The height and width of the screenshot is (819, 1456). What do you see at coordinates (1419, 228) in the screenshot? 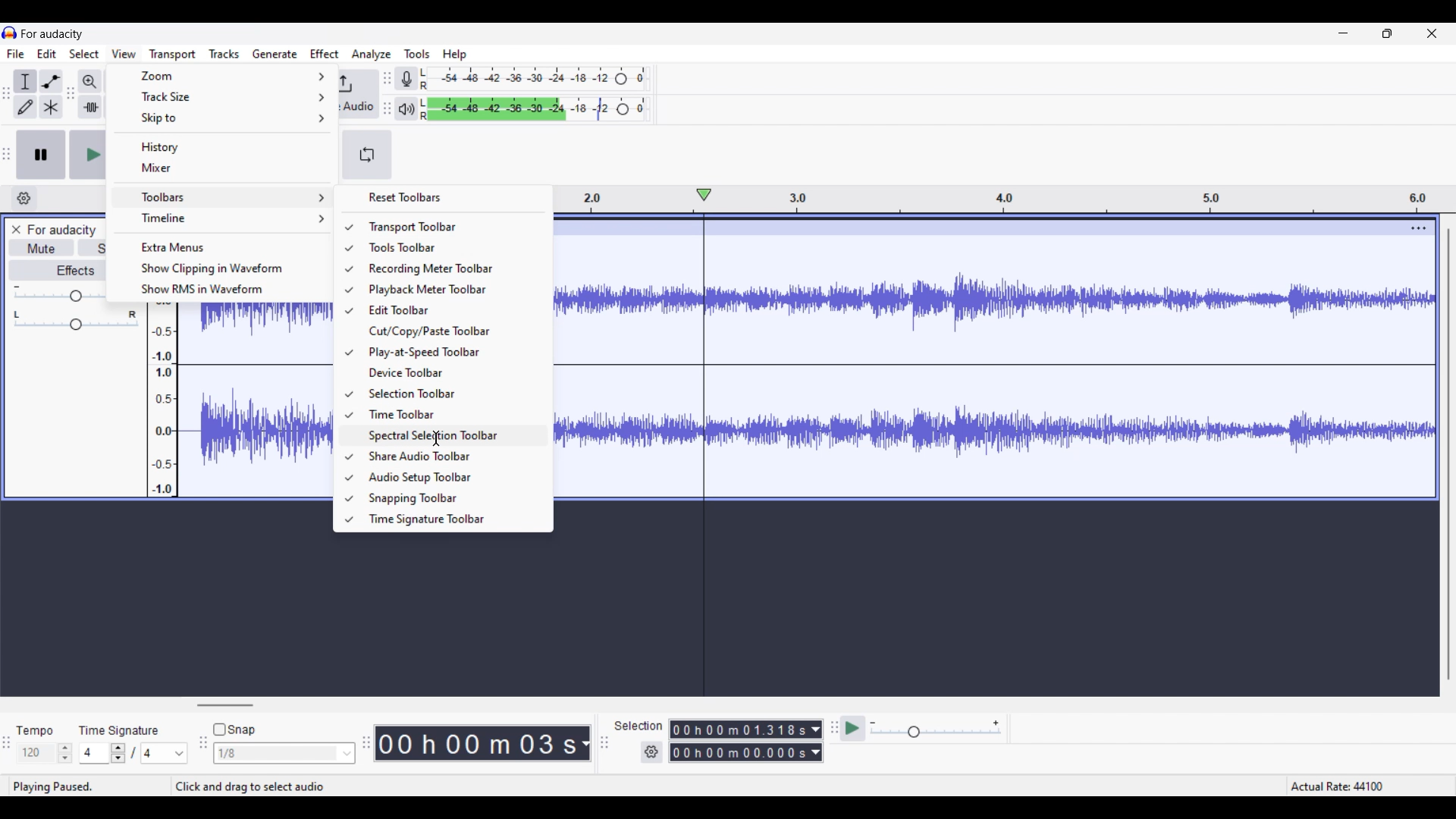
I see `Track options` at bounding box center [1419, 228].